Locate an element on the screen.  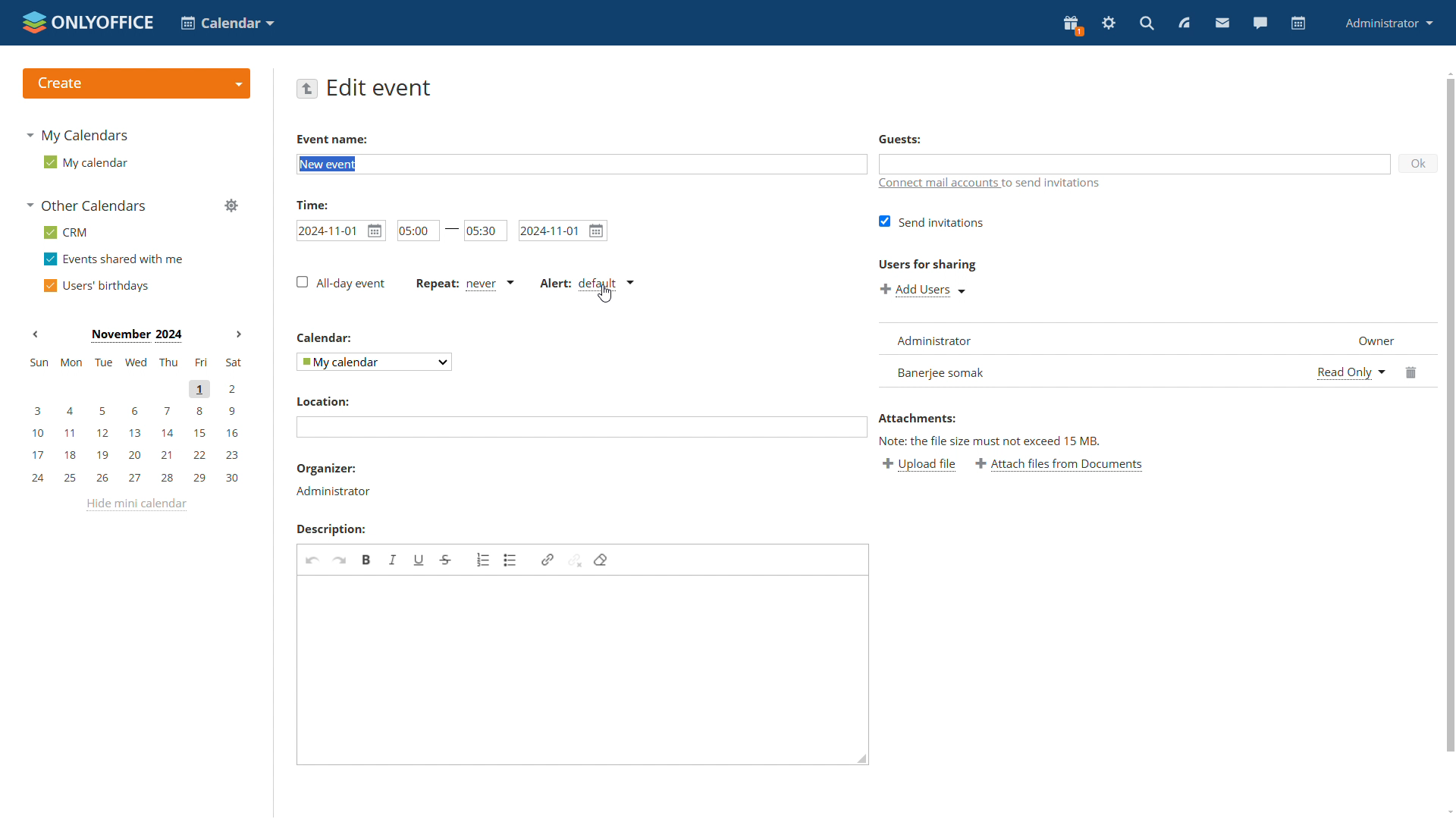
add user is located at coordinates (924, 291).